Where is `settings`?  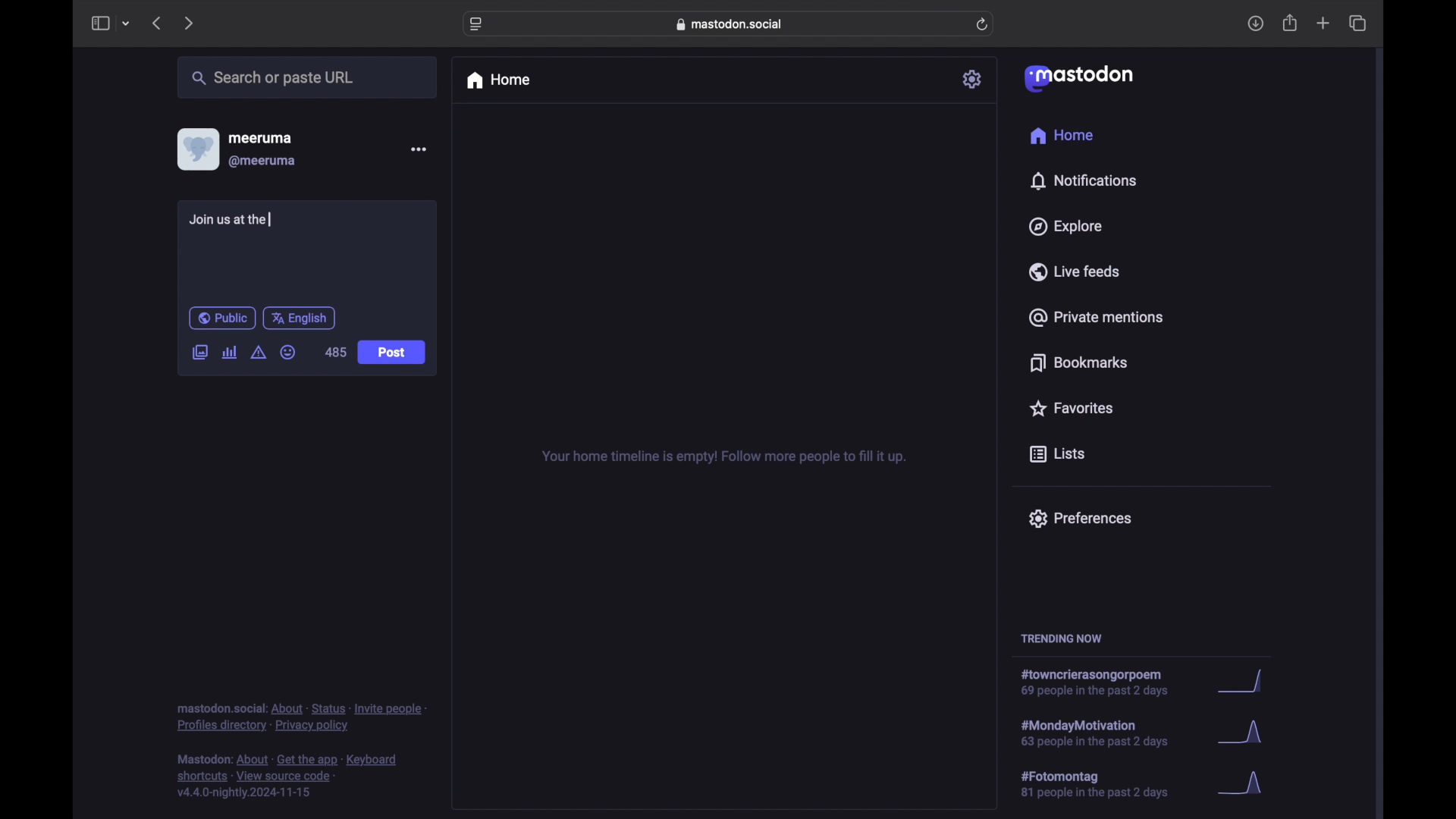 settings is located at coordinates (974, 79).